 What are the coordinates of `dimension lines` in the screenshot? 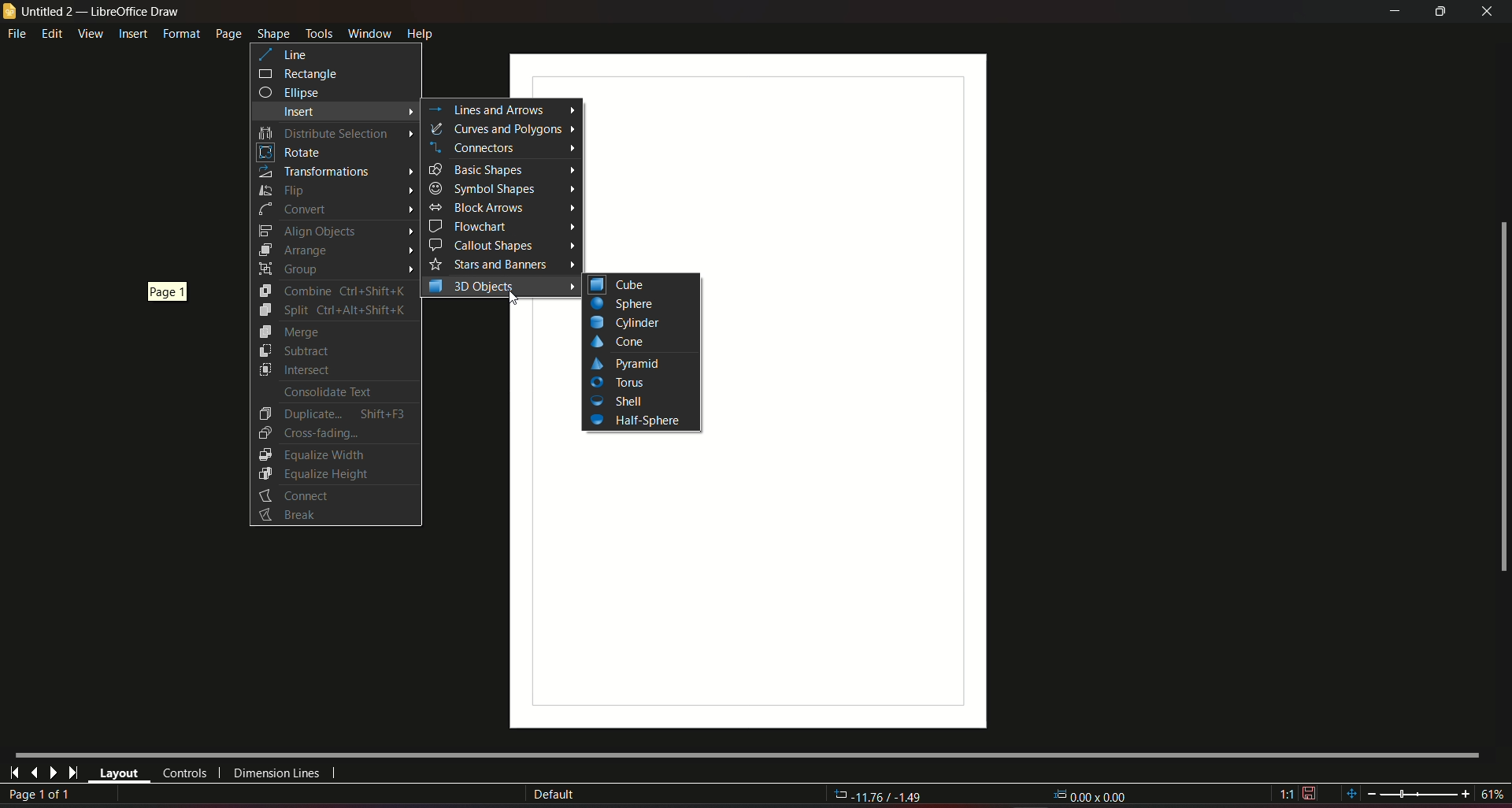 It's located at (277, 776).